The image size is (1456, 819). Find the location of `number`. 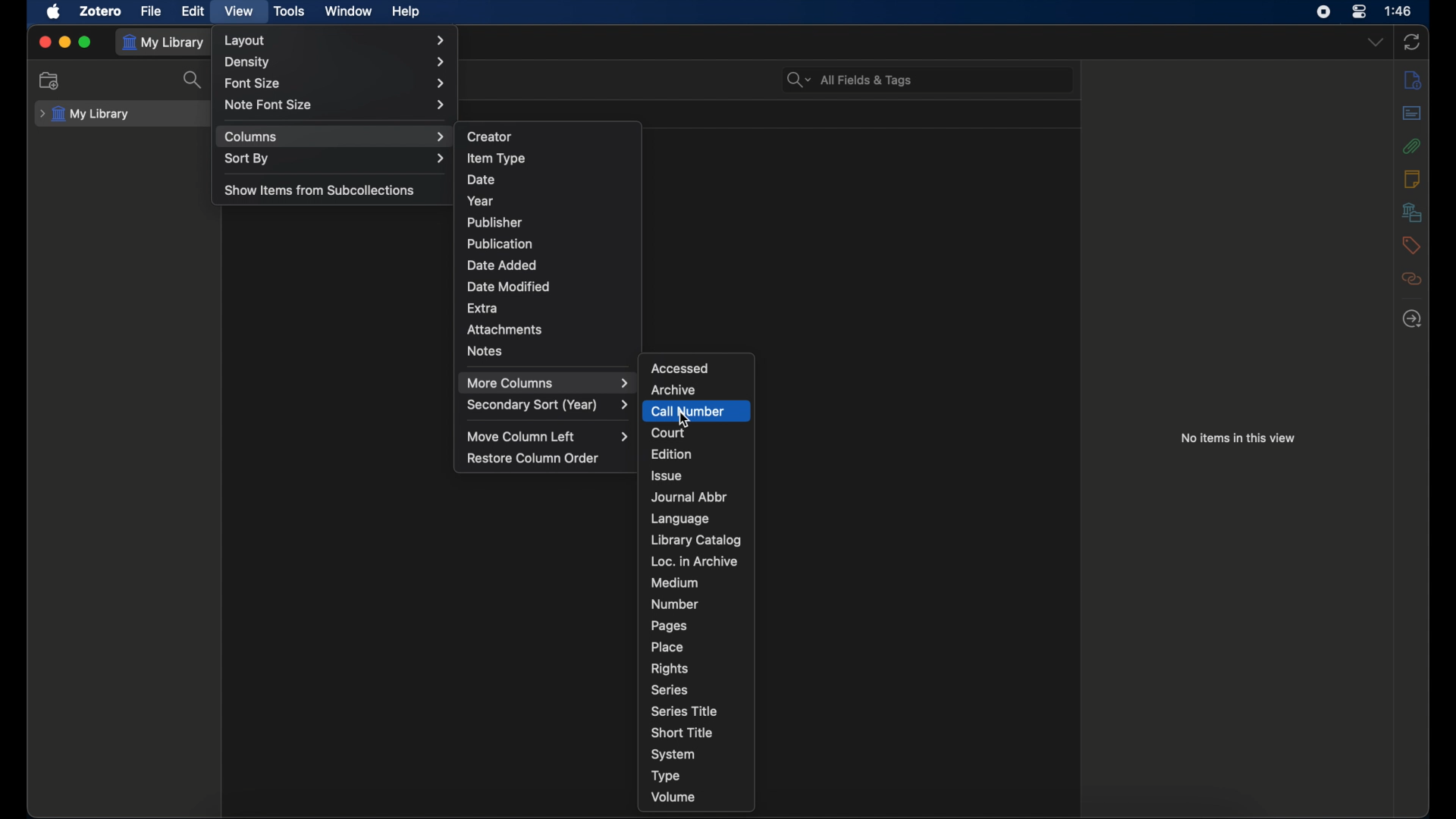

number is located at coordinates (675, 604).